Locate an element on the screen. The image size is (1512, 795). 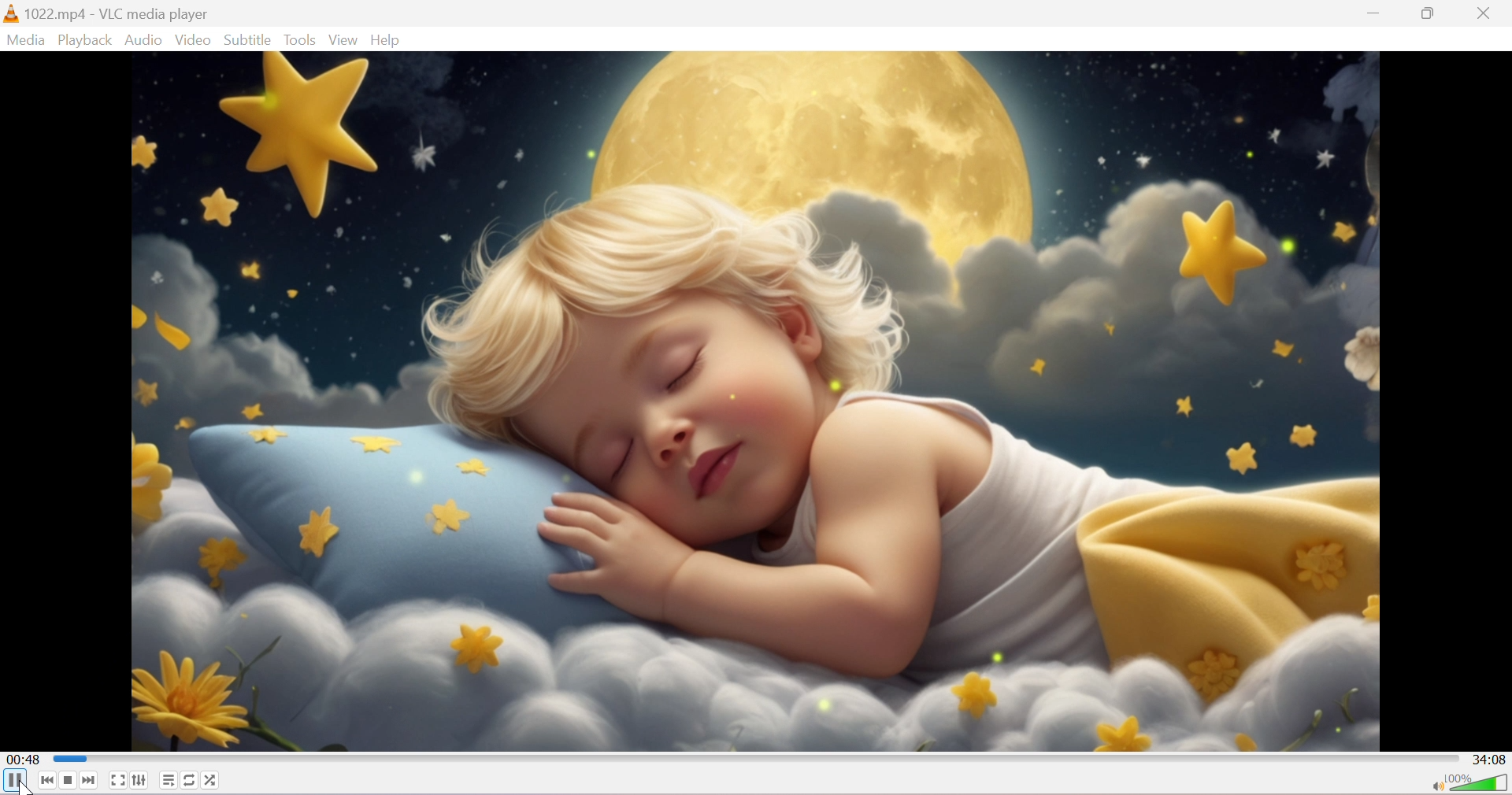
Tools is located at coordinates (300, 40).